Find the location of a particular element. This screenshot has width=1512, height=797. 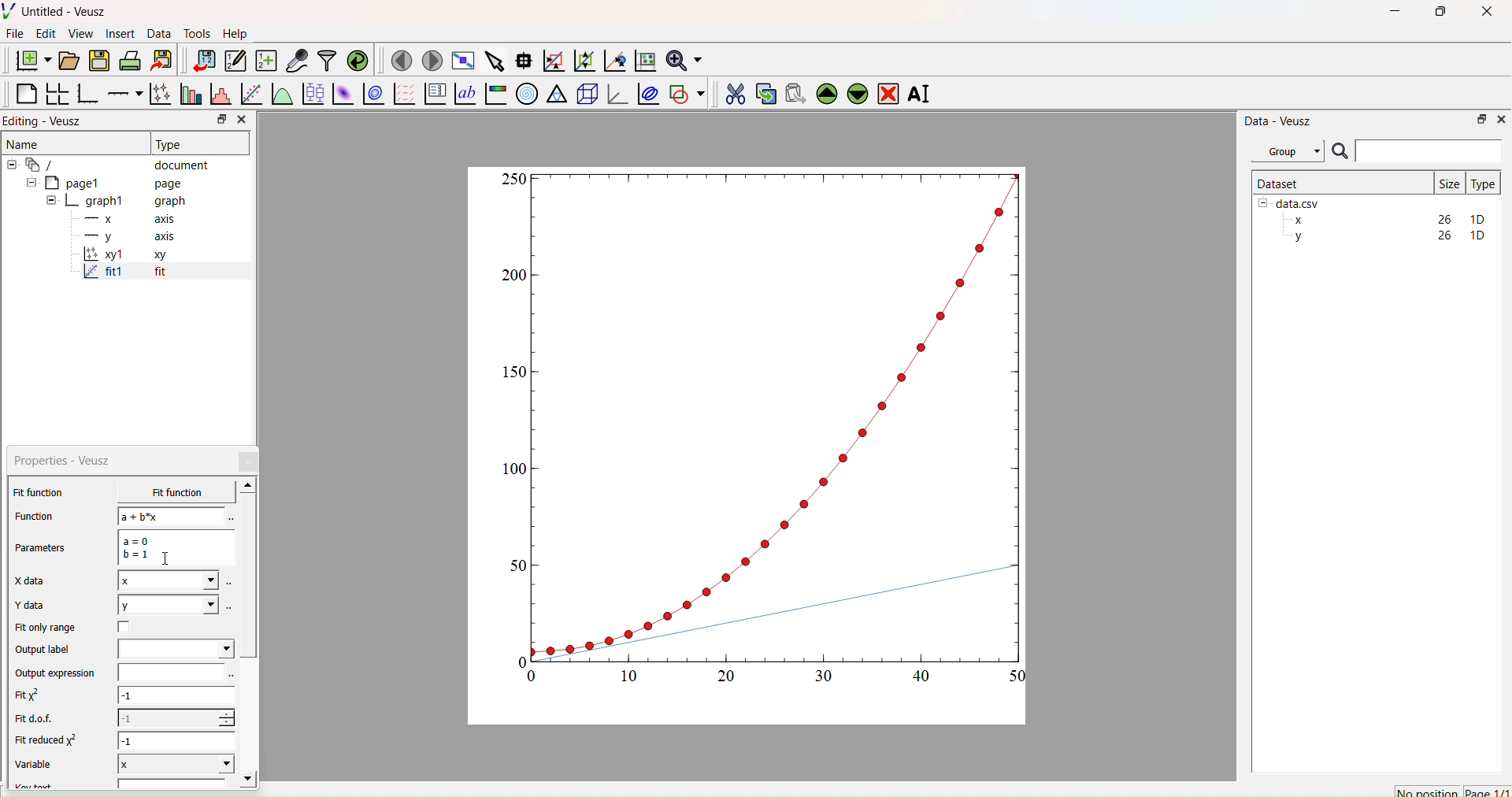

3d scene is located at coordinates (585, 91).